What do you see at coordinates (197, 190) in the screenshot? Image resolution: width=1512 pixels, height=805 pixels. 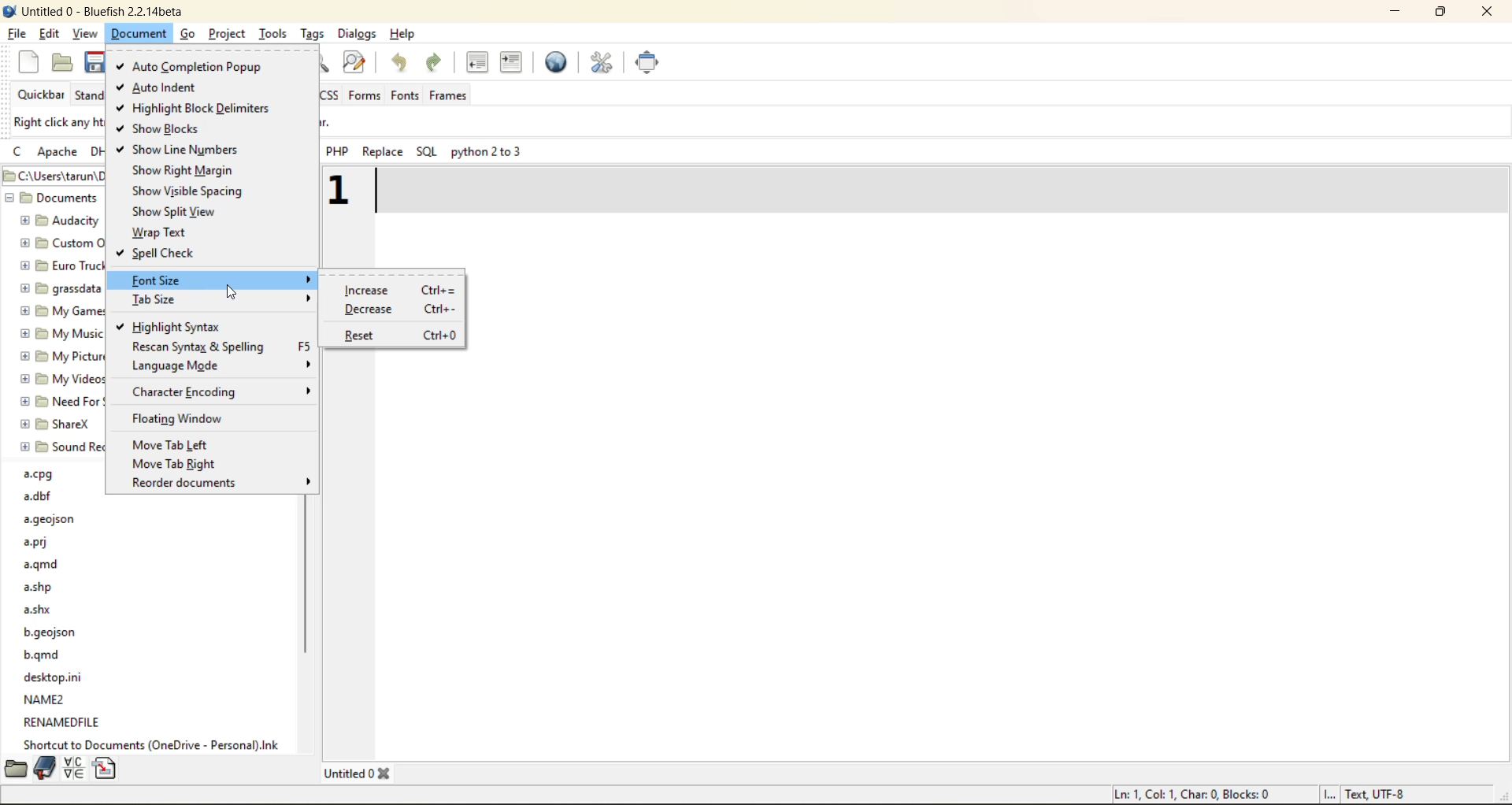 I see `show visible spacing` at bounding box center [197, 190].